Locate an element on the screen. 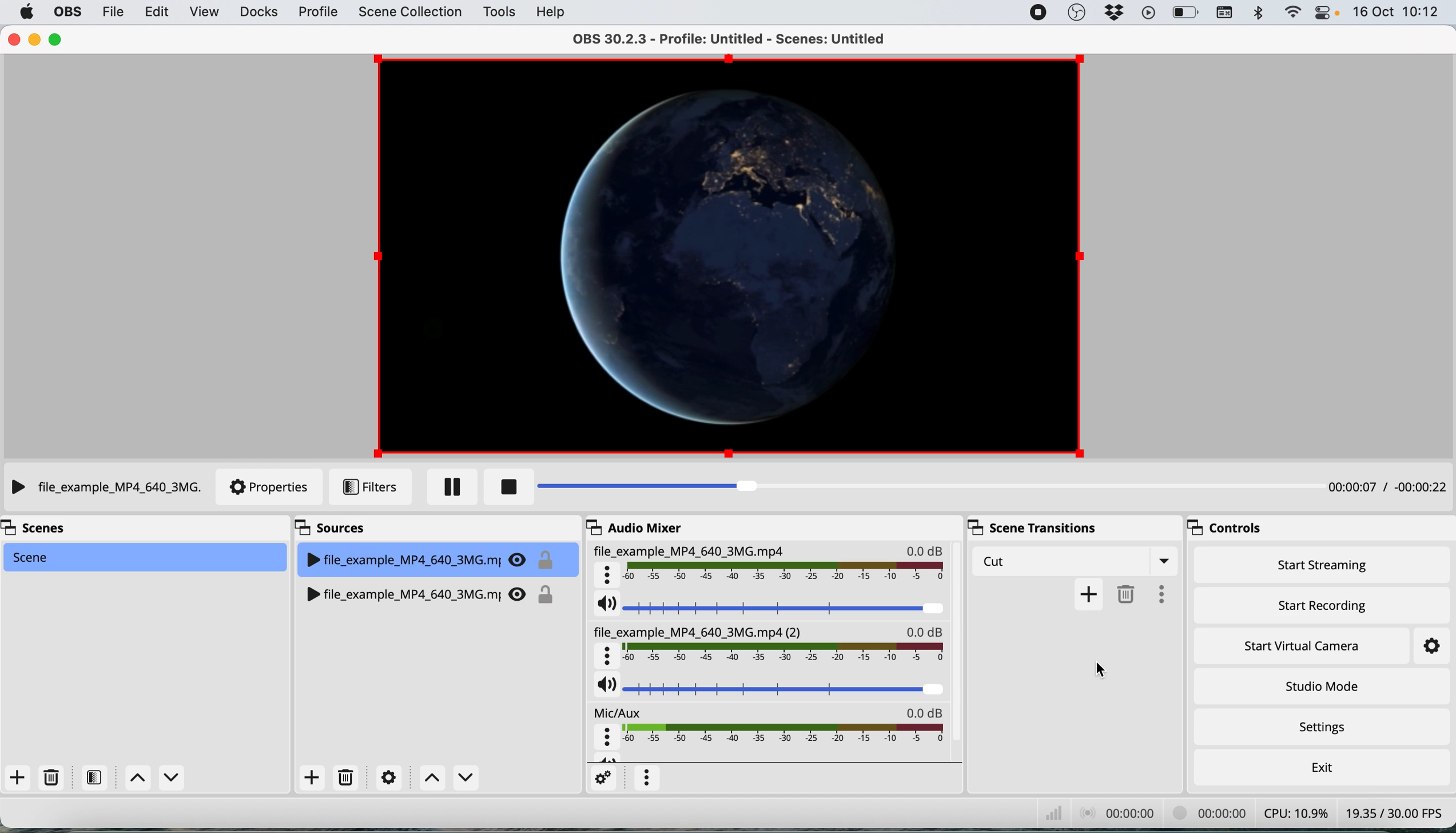 The image size is (1456, 833). more options is located at coordinates (644, 779).